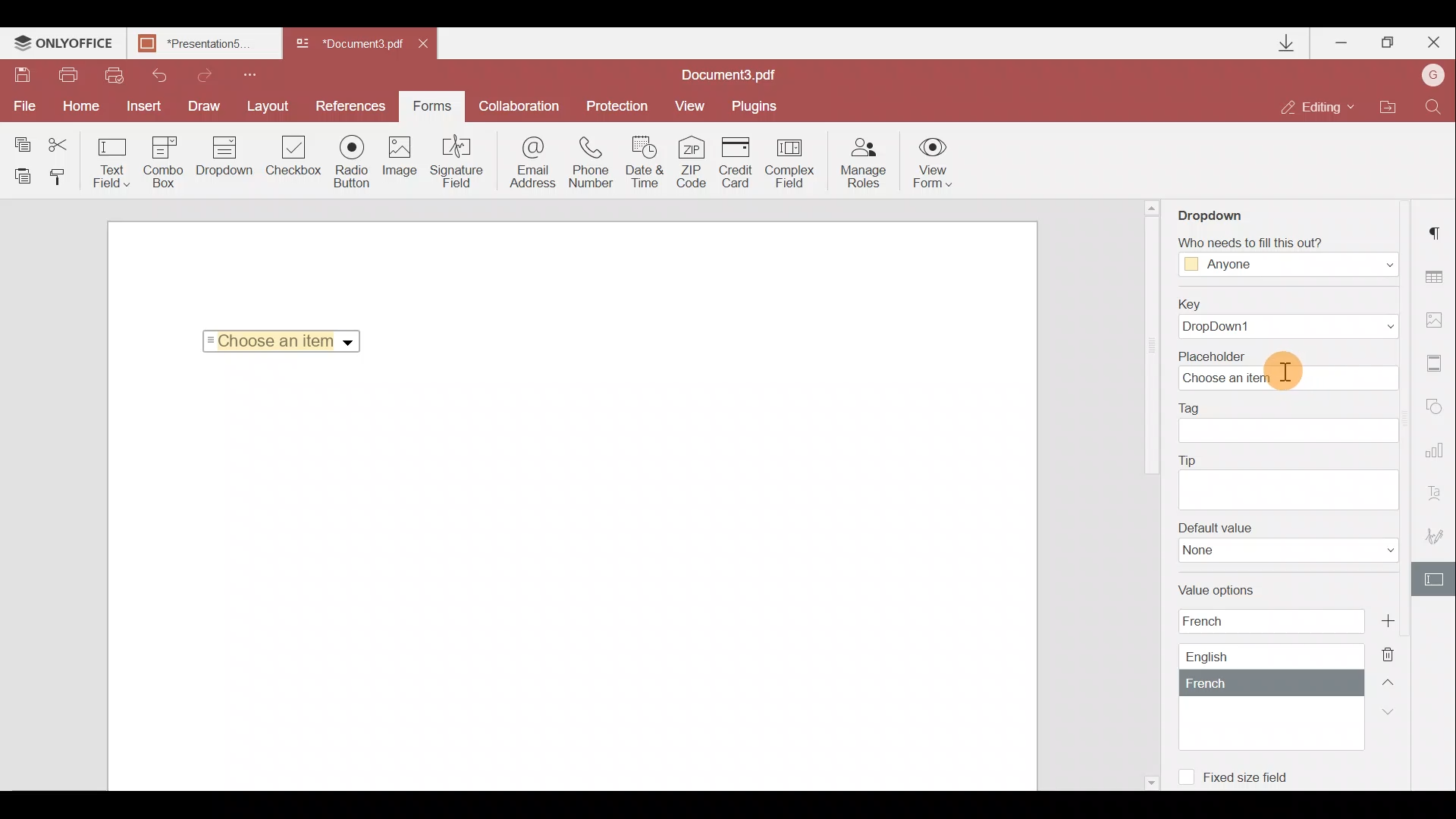 Image resolution: width=1456 pixels, height=819 pixels. Describe the element at coordinates (1436, 277) in the screenshot. I see `Table settings` at that location.